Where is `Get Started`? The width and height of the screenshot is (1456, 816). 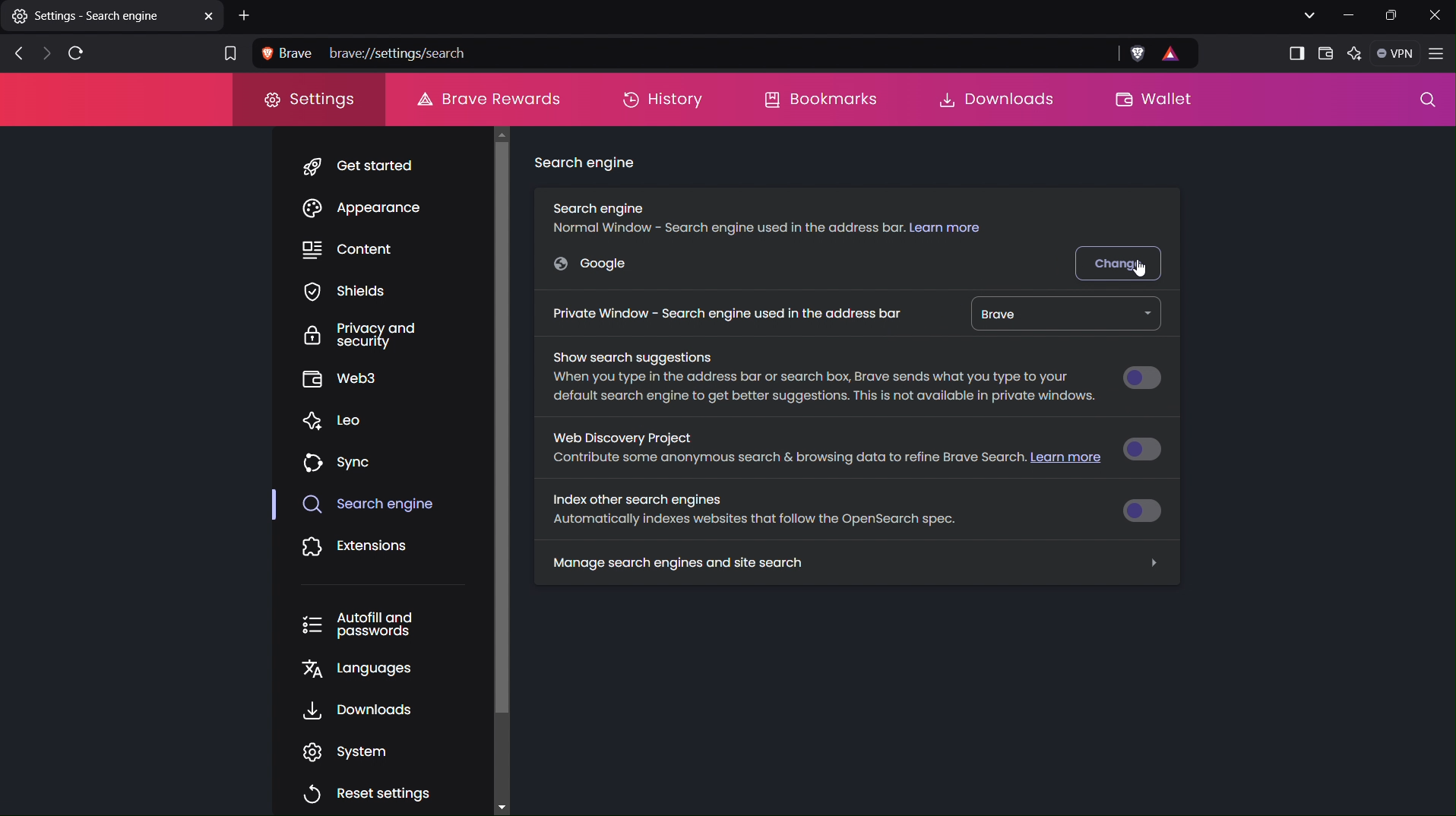 Get Started is located at coordinates (371, 165).